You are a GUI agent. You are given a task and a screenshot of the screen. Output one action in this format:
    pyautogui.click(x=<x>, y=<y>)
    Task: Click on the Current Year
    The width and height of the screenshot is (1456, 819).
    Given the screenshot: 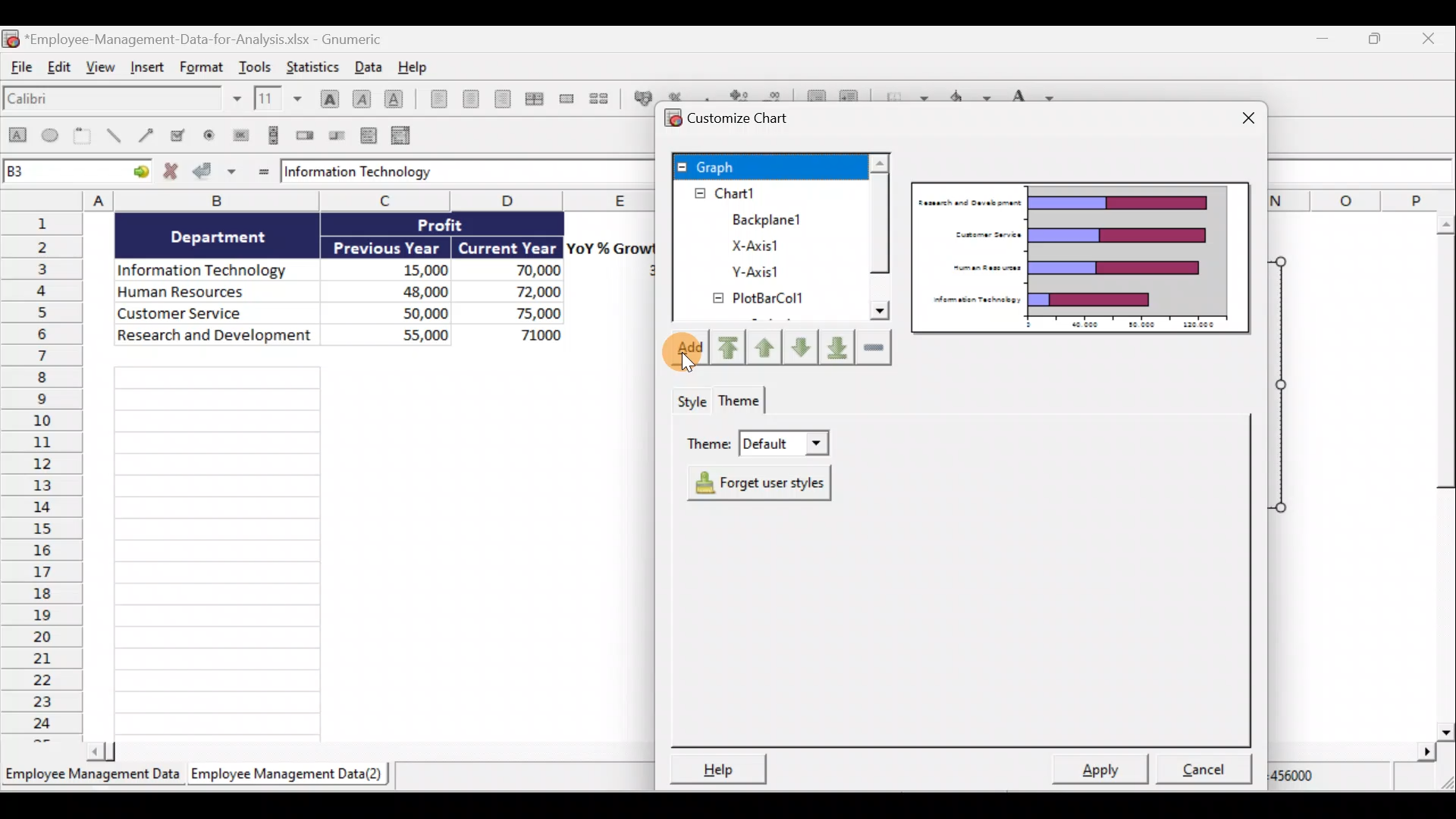 What is the action you would take?
    pyautogui.click(x=508, y=246)
    